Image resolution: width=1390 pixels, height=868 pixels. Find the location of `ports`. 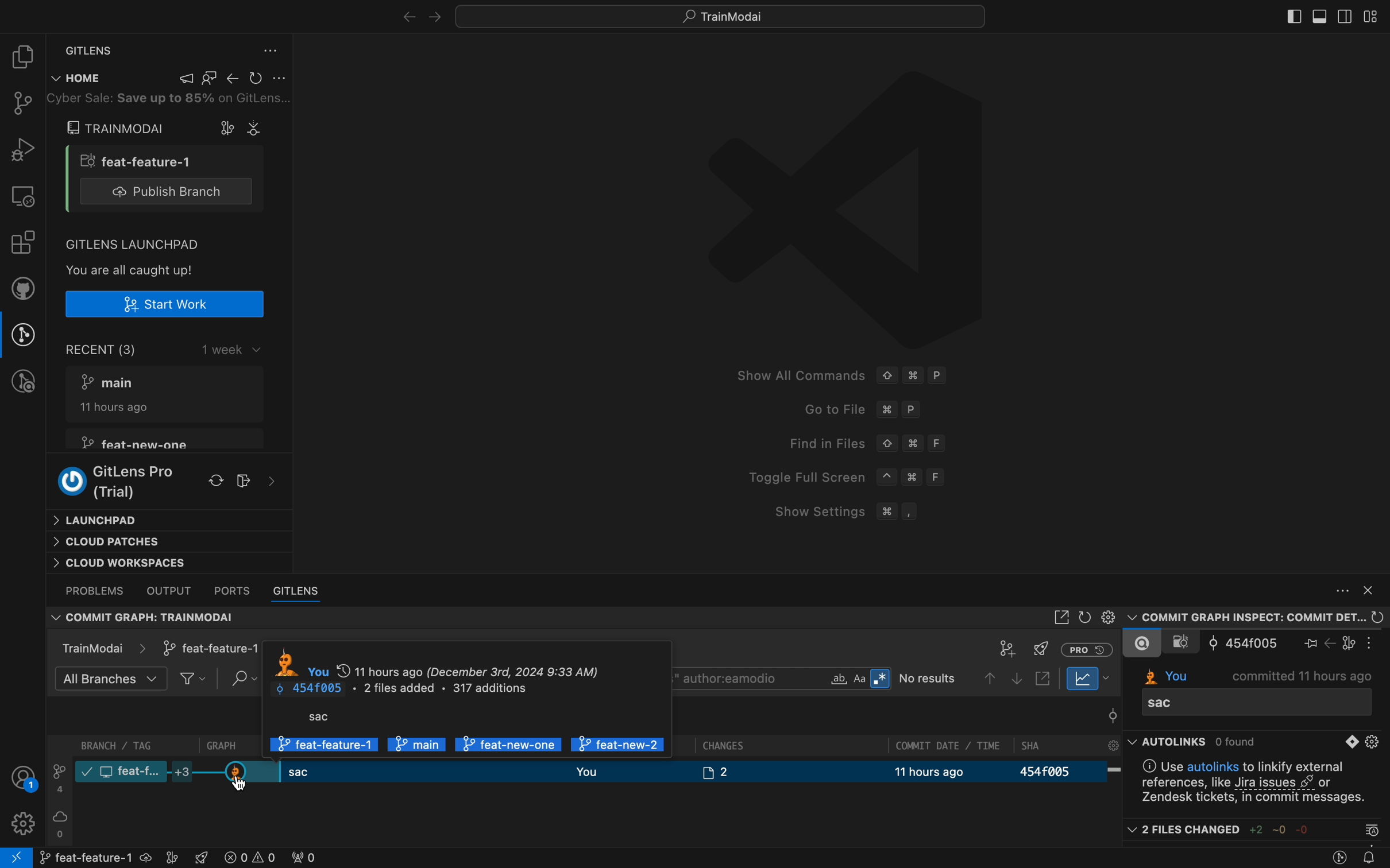

ports is located at coordinates (235, 591).